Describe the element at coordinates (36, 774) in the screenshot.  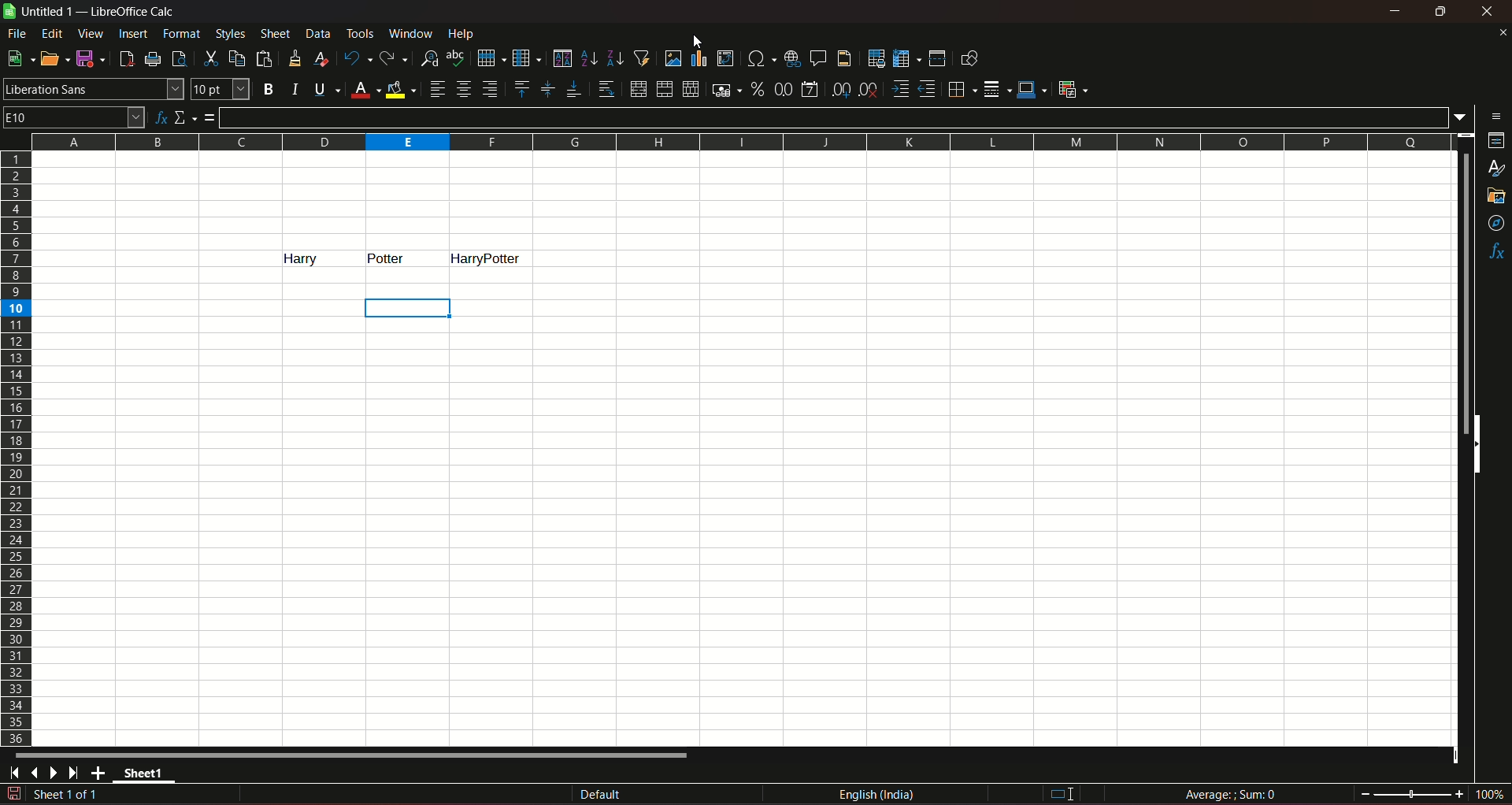
I see `scroll to previous` at that location.